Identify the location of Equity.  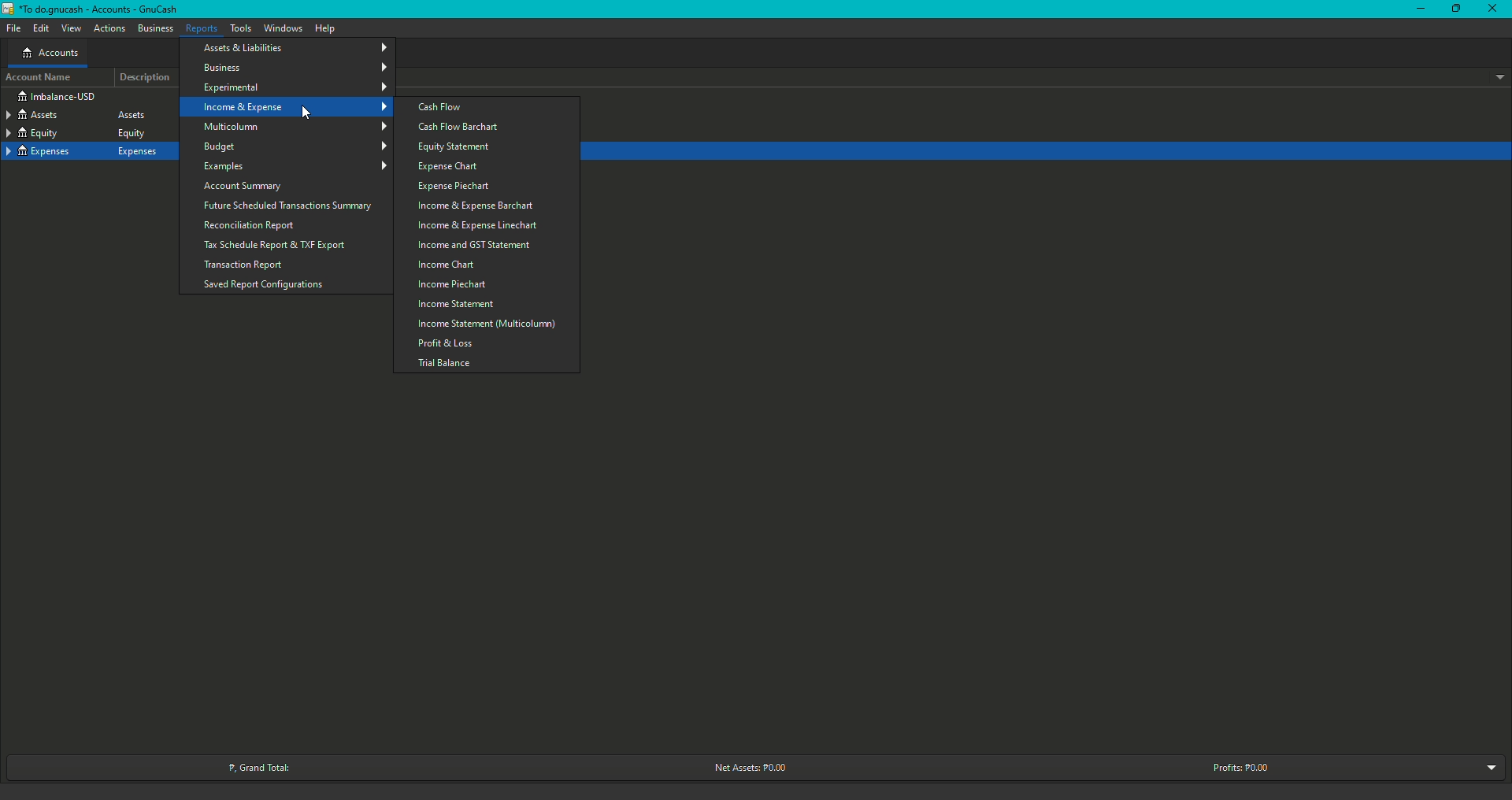
(87, 133).